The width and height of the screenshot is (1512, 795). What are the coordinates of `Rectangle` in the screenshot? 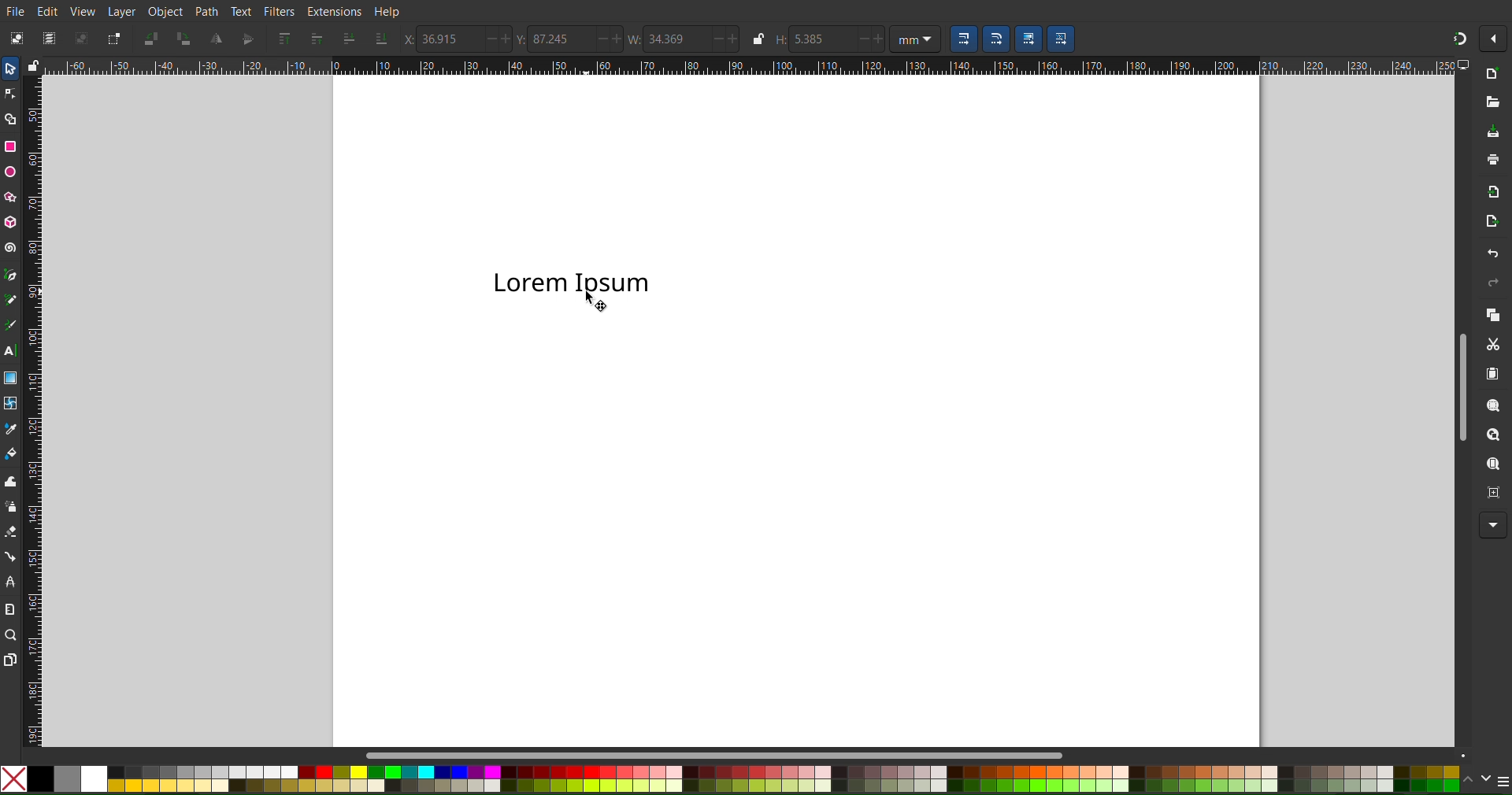 It's located at (10, 147).